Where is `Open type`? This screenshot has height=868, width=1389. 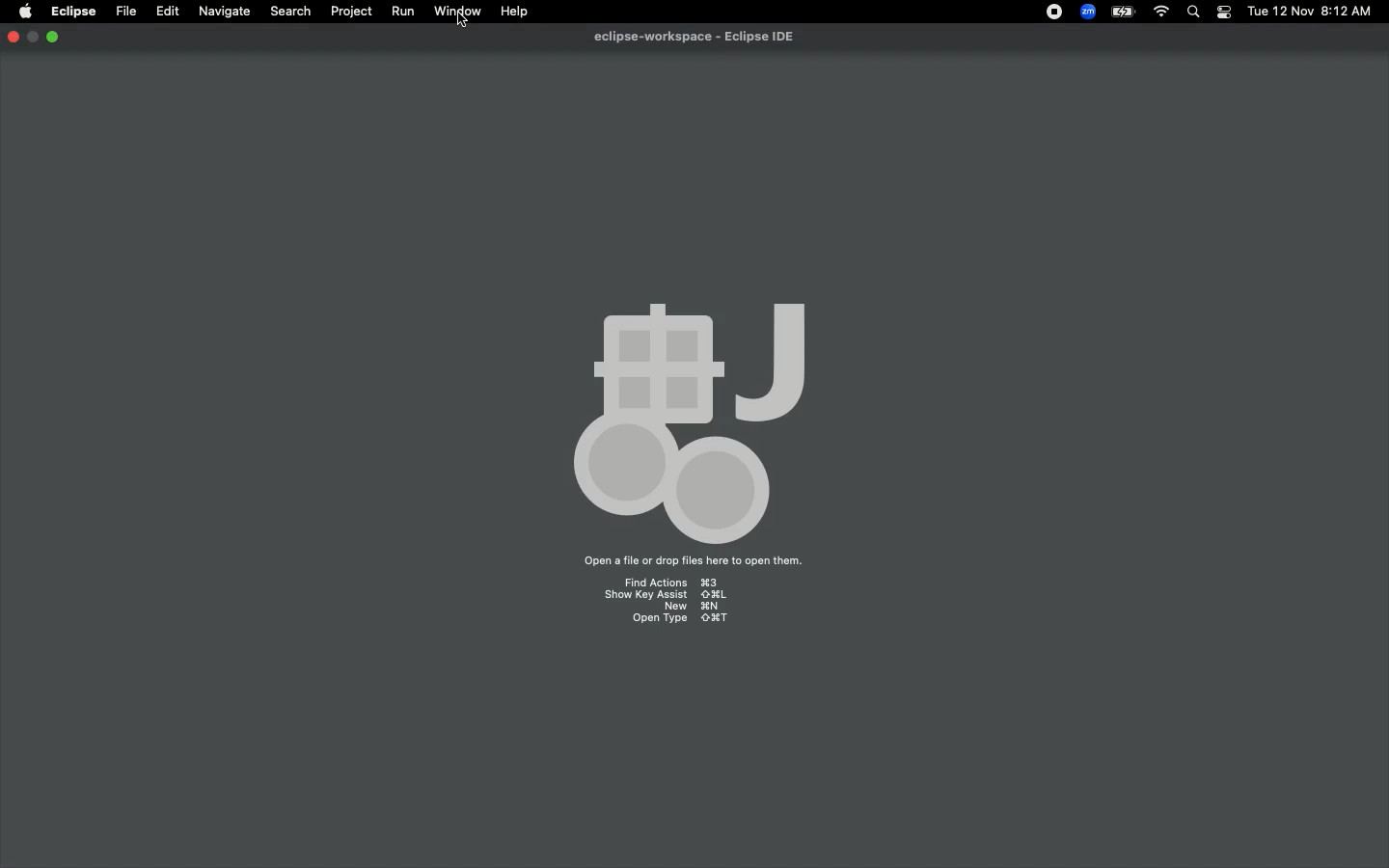 Open type is located at coordinates (680, 621).